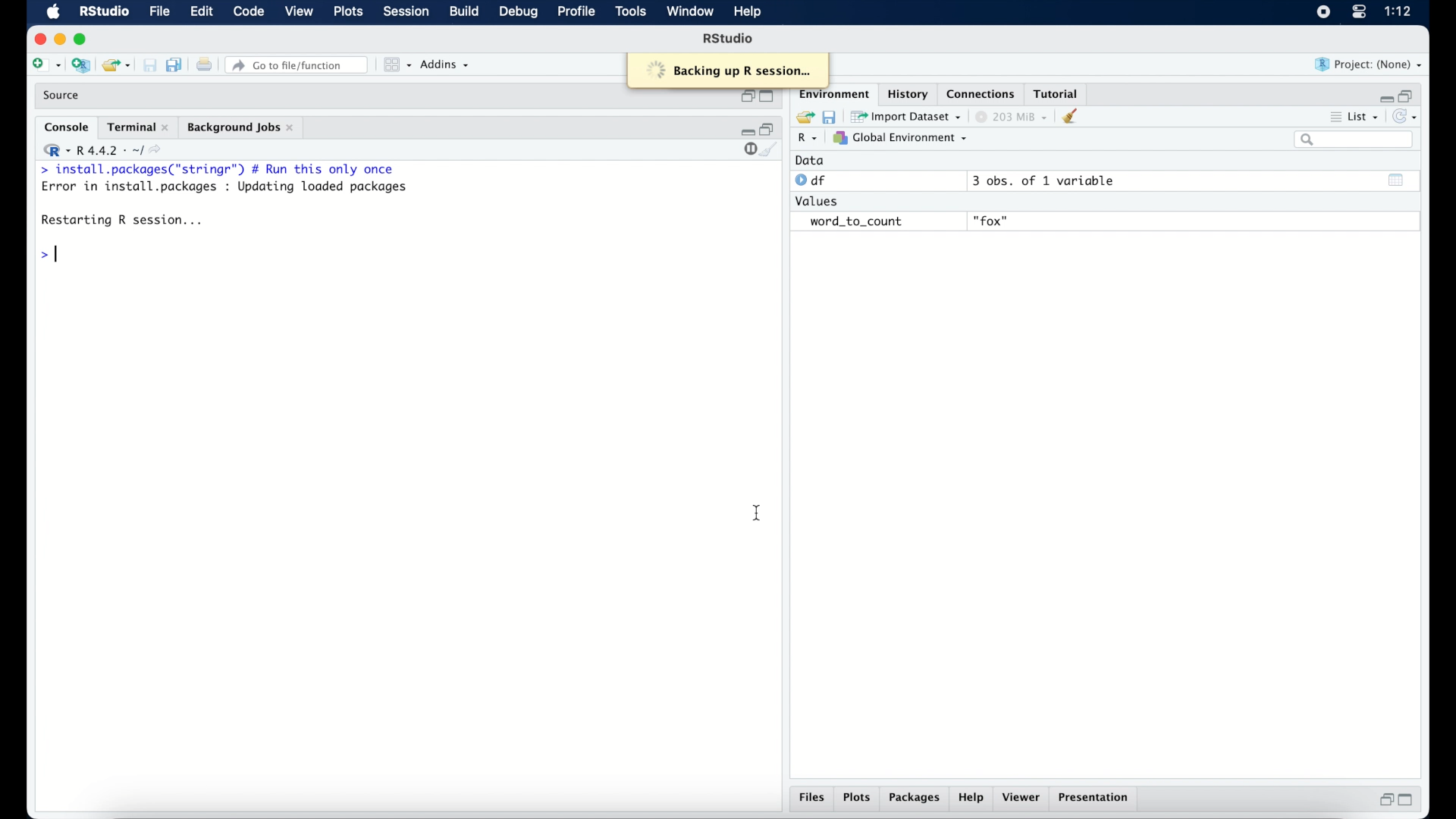  Describe the element at coordinates (992, 221) in the screenshot. I see `fox` at that location.